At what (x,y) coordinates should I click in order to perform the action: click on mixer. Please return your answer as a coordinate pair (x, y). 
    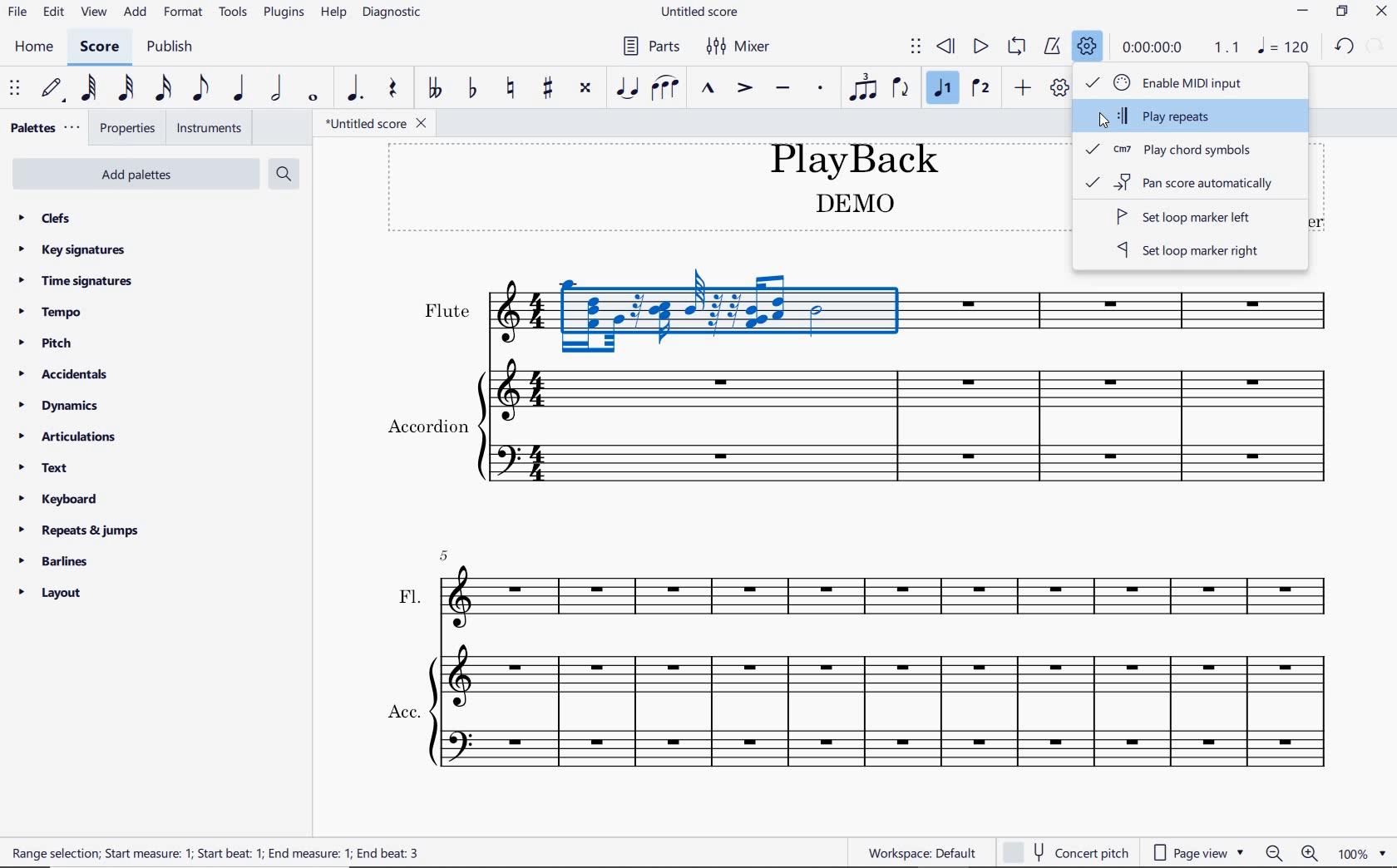
    Looking at the image, I should click on (737, 47).